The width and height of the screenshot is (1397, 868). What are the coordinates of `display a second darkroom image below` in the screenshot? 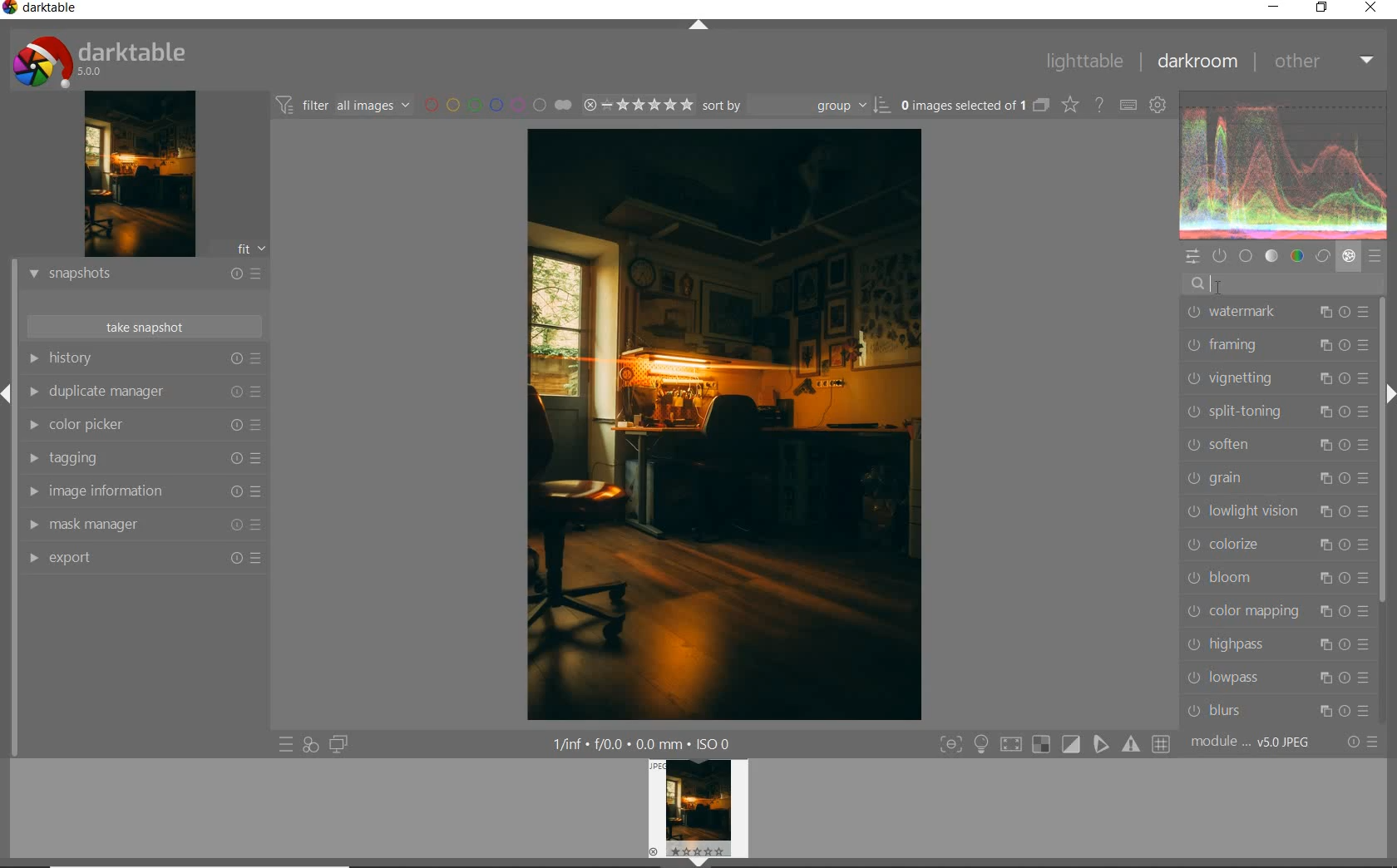 It's located at (338, 745).